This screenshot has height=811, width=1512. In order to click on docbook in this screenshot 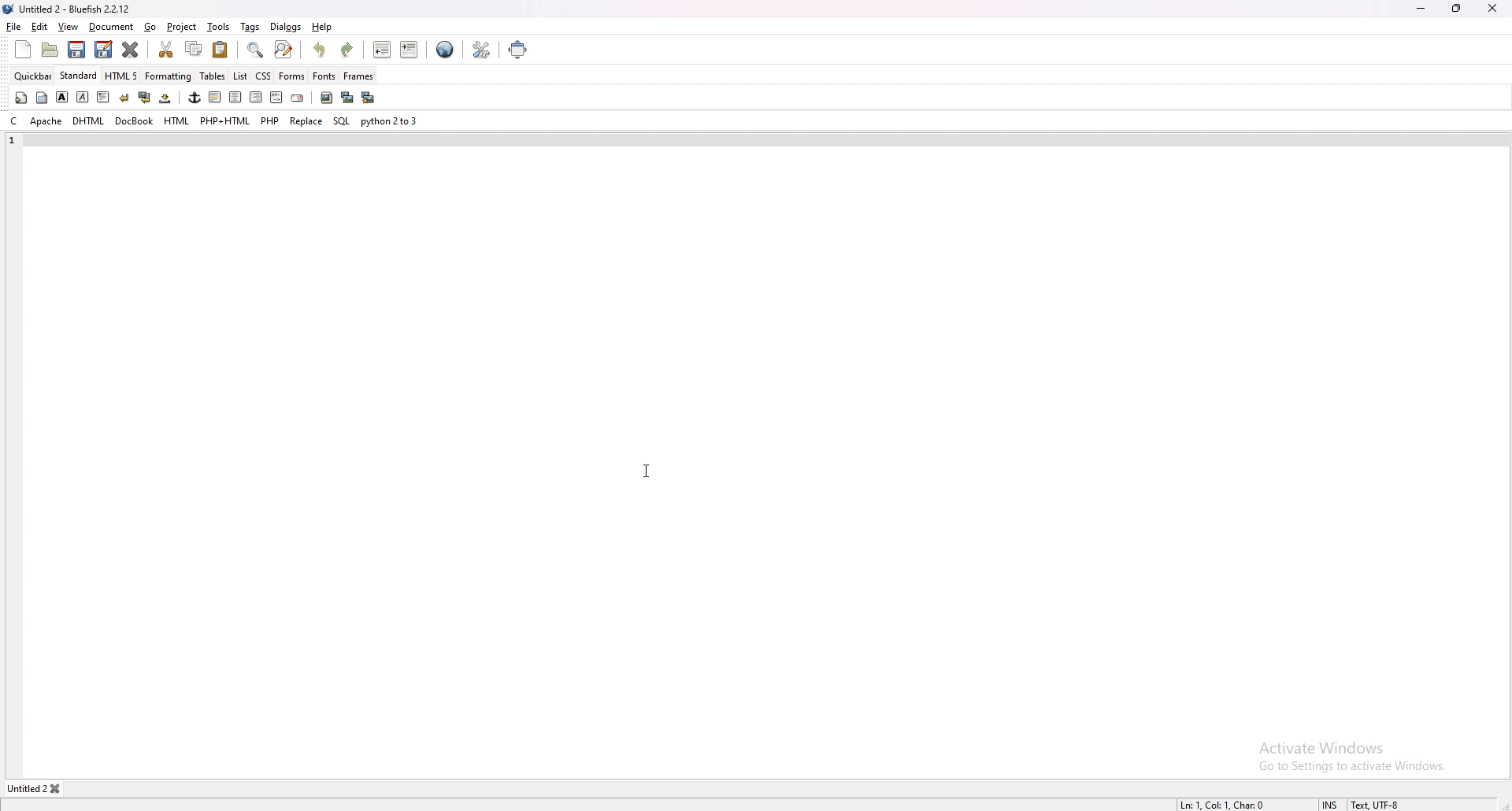, I will do `click(134, 122)`.